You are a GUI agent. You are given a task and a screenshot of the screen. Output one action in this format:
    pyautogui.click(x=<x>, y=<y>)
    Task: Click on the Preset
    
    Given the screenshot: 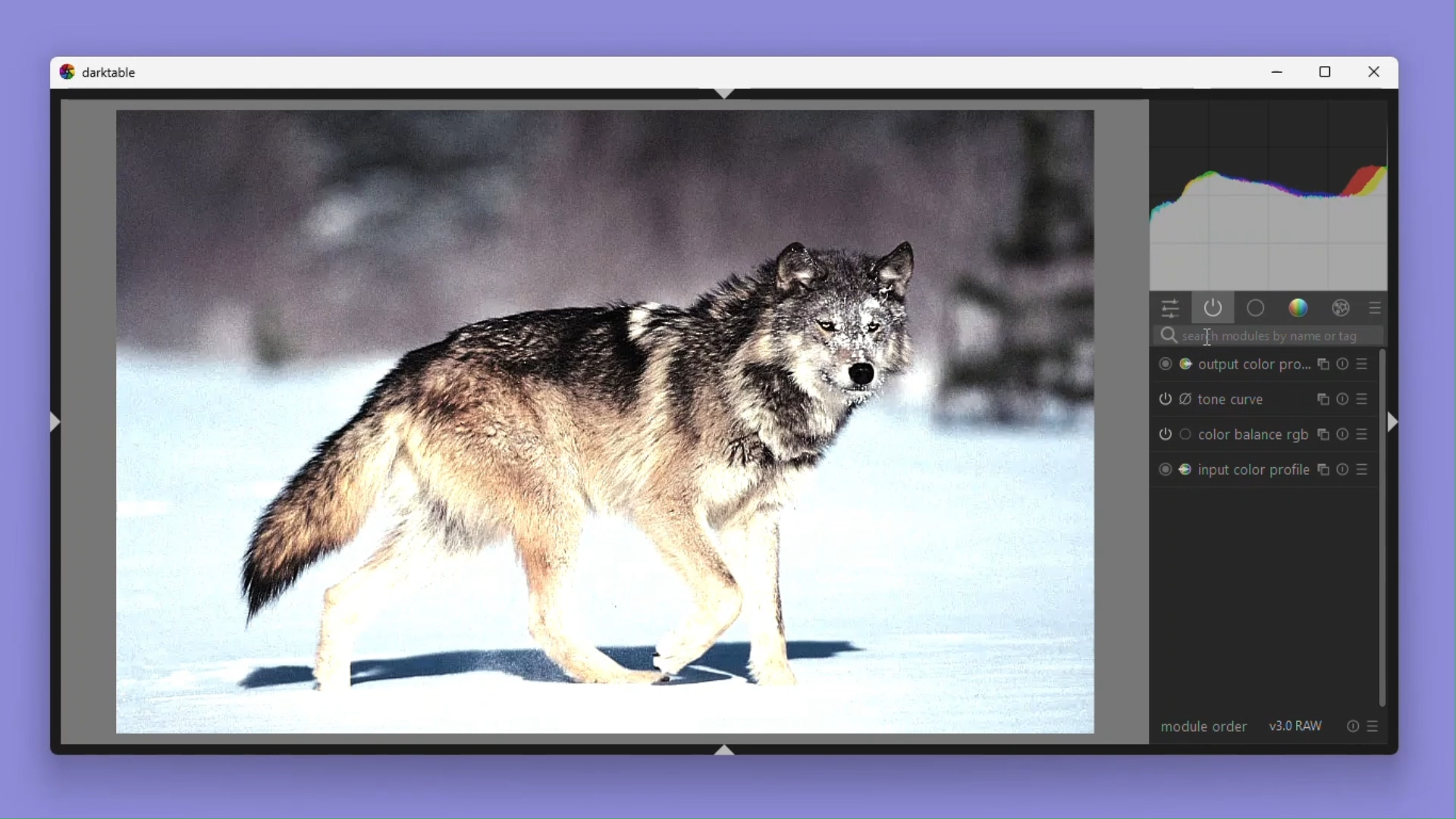 What is the action you would take?
    pyautogui.click(x=1363, y=399)
    